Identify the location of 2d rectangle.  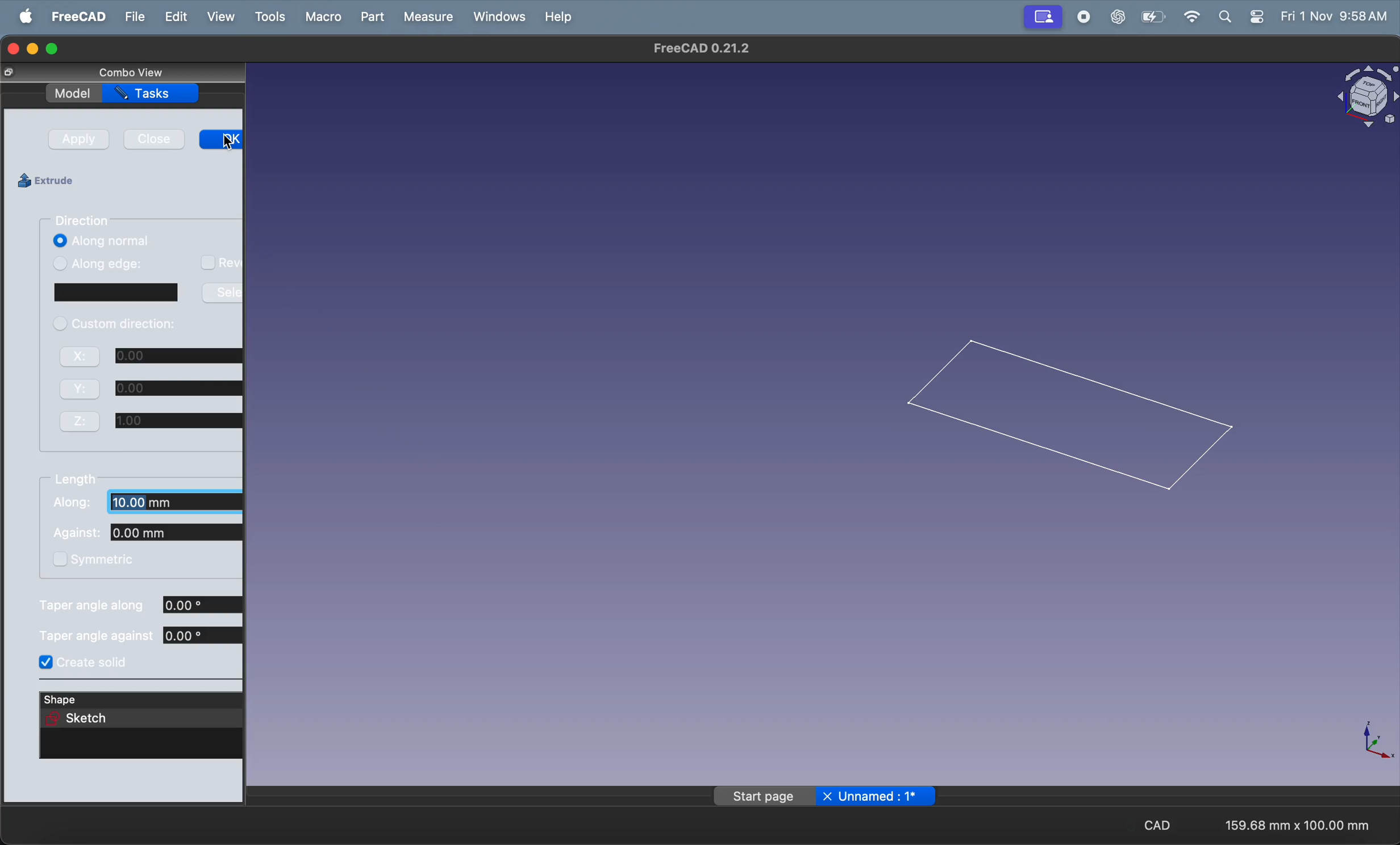
(1067, 414).